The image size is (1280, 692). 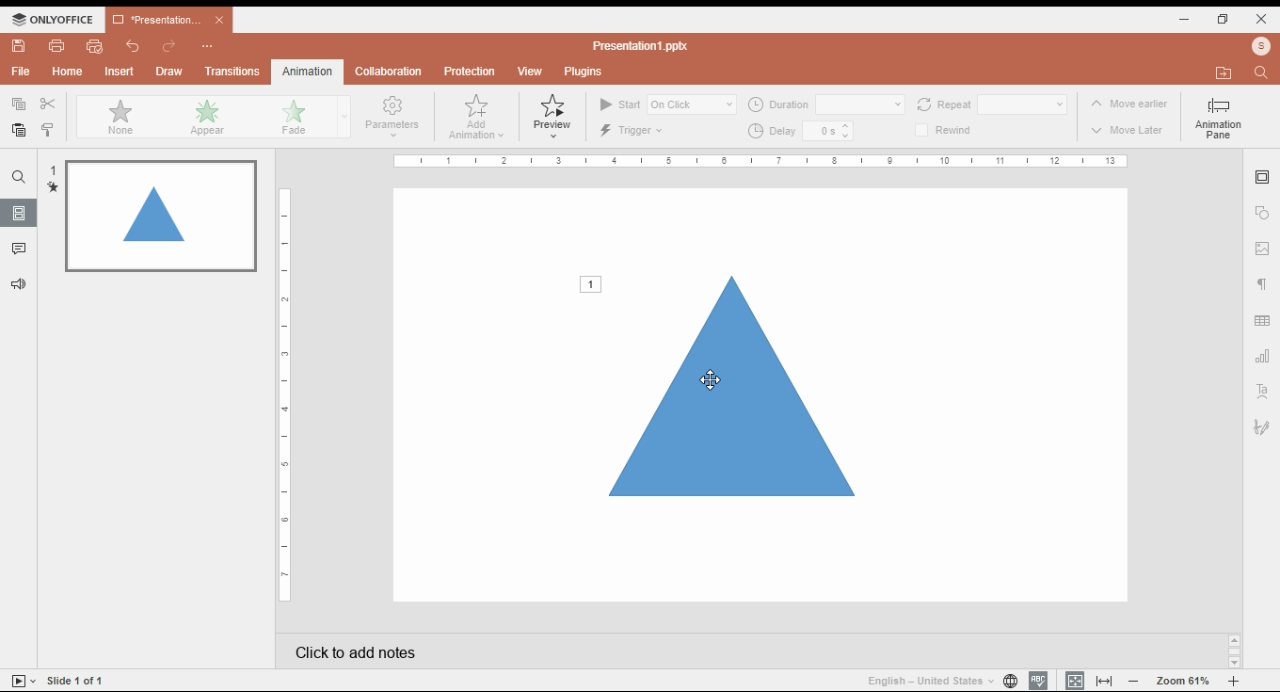 What do you see at coordinates (554, 116) in the screenshot?
I see `preview` at bounding box center [554, 116].